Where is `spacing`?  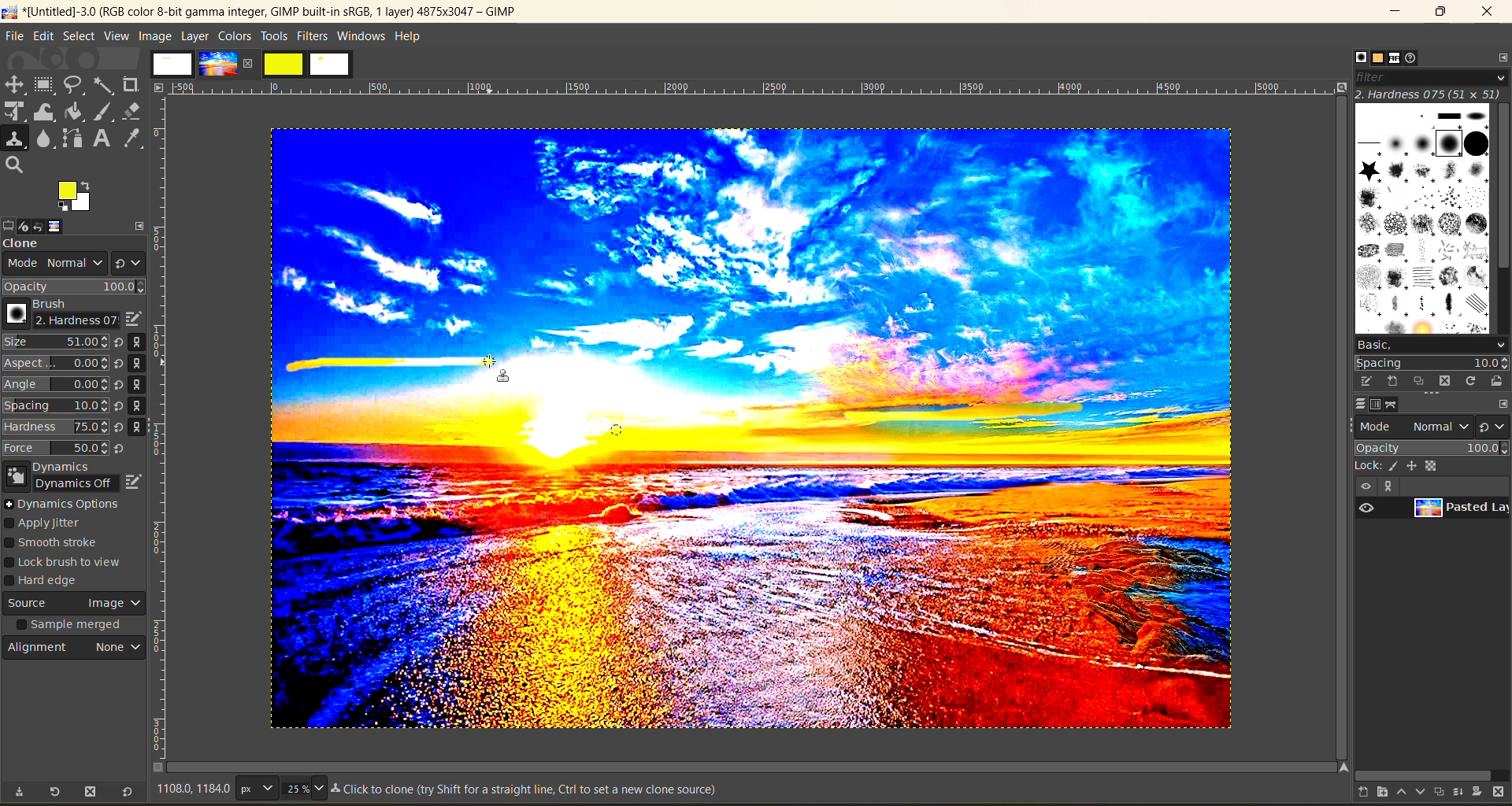 spacing is located at coordinates (1432, 363).